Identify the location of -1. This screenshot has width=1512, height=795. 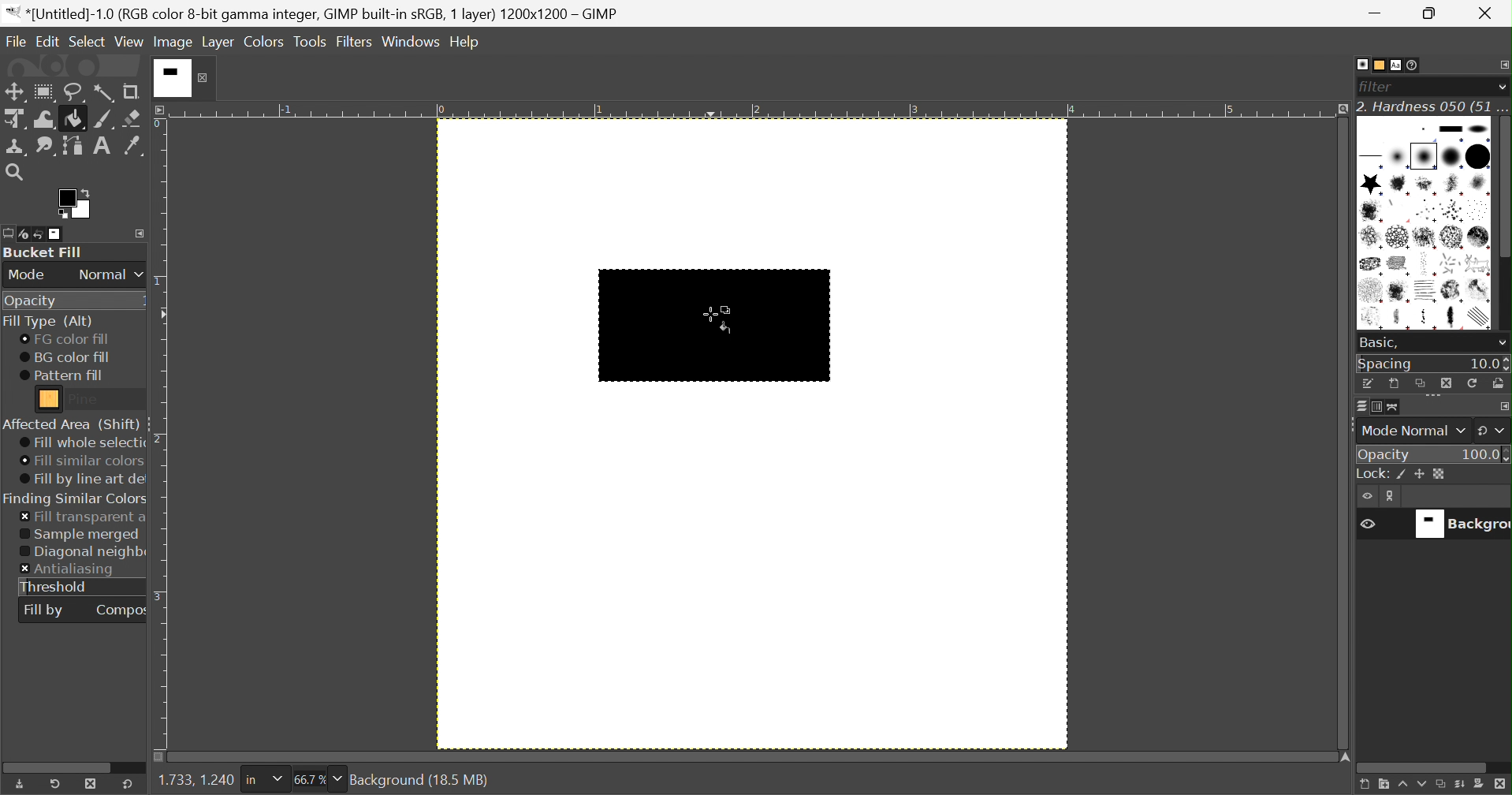
(284, 109).